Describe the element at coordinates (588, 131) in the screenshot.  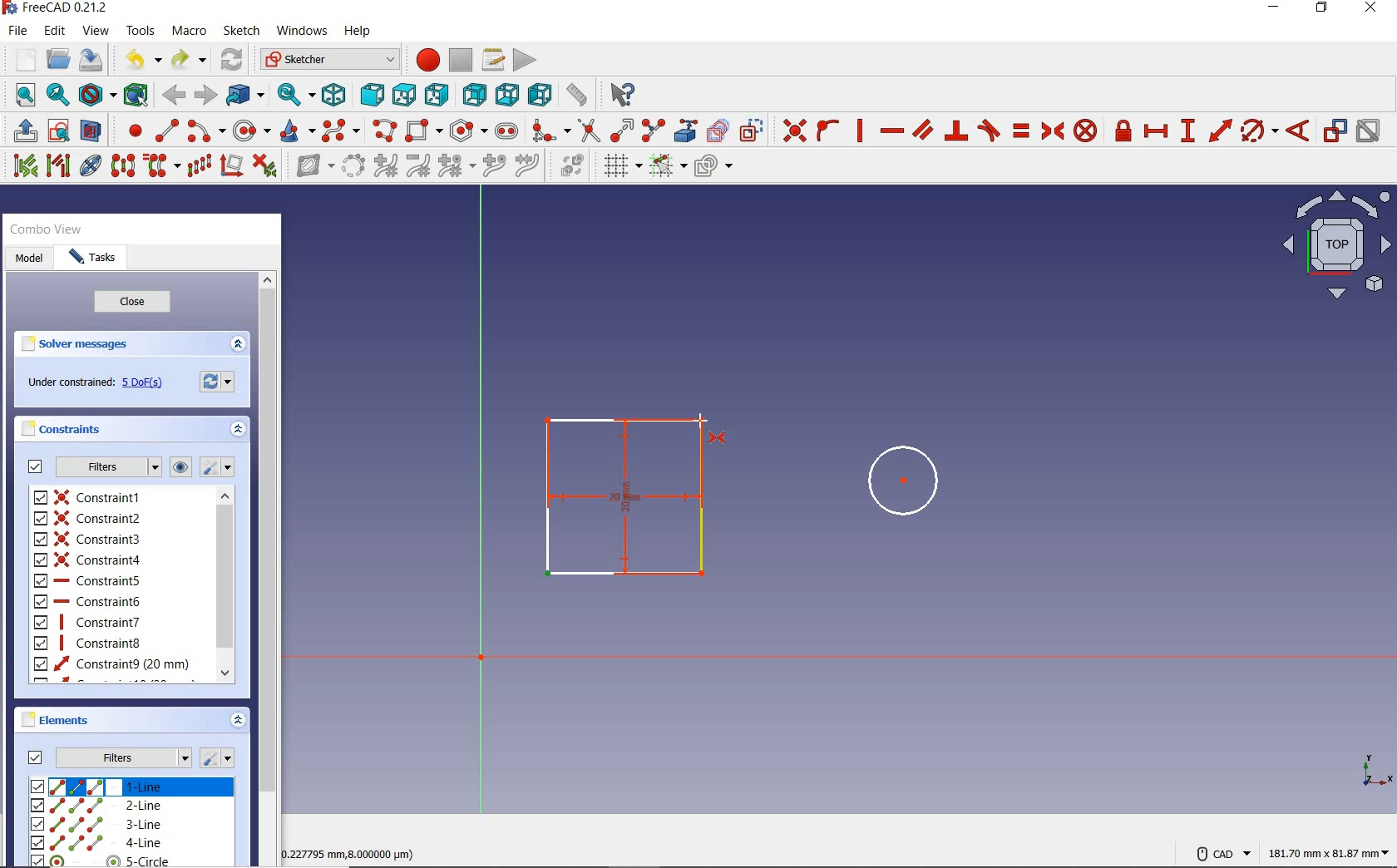
I see `trim edge` at that location.